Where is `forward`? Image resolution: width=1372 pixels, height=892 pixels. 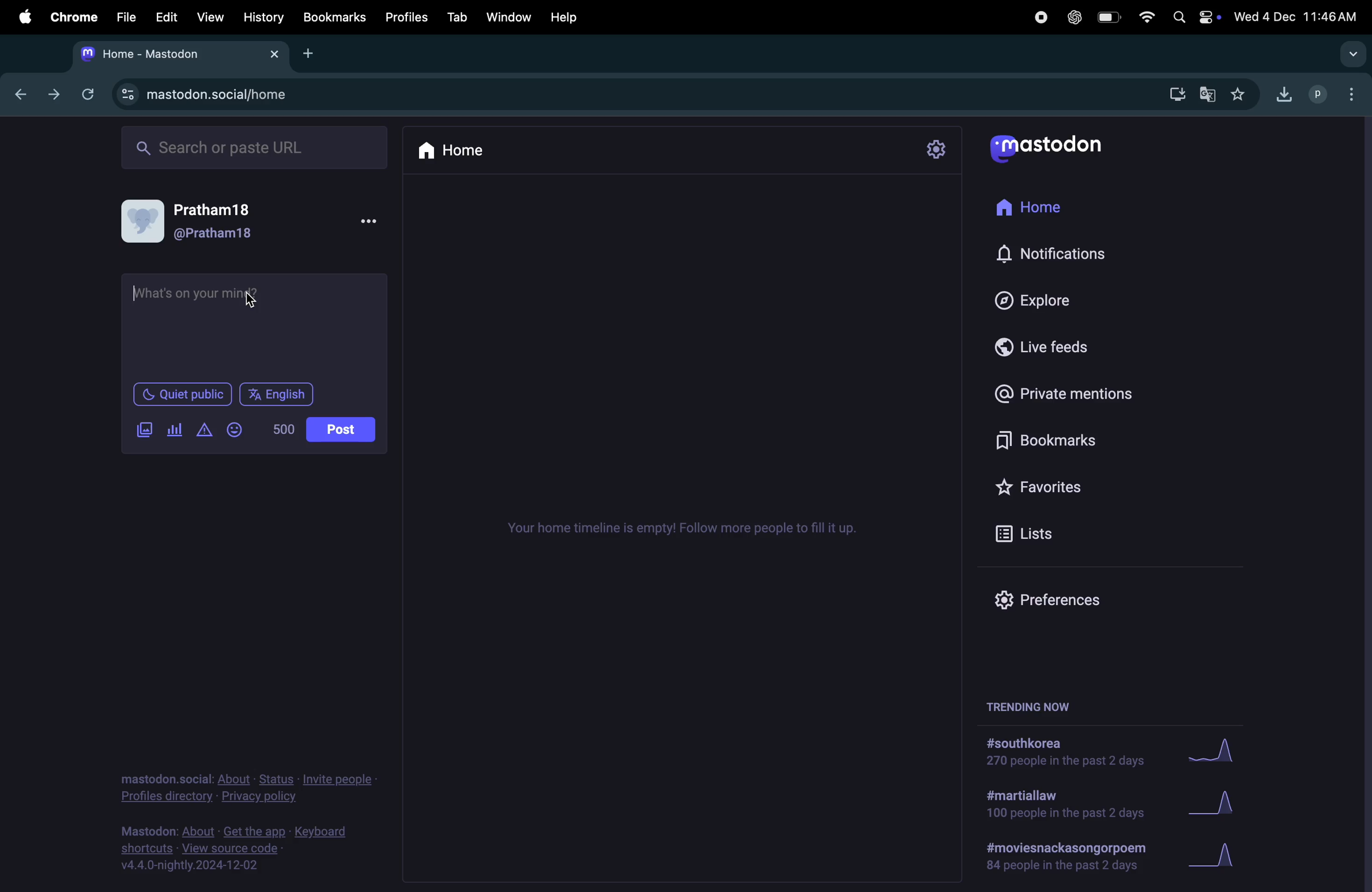
forward is located at coordinates (57, 94).